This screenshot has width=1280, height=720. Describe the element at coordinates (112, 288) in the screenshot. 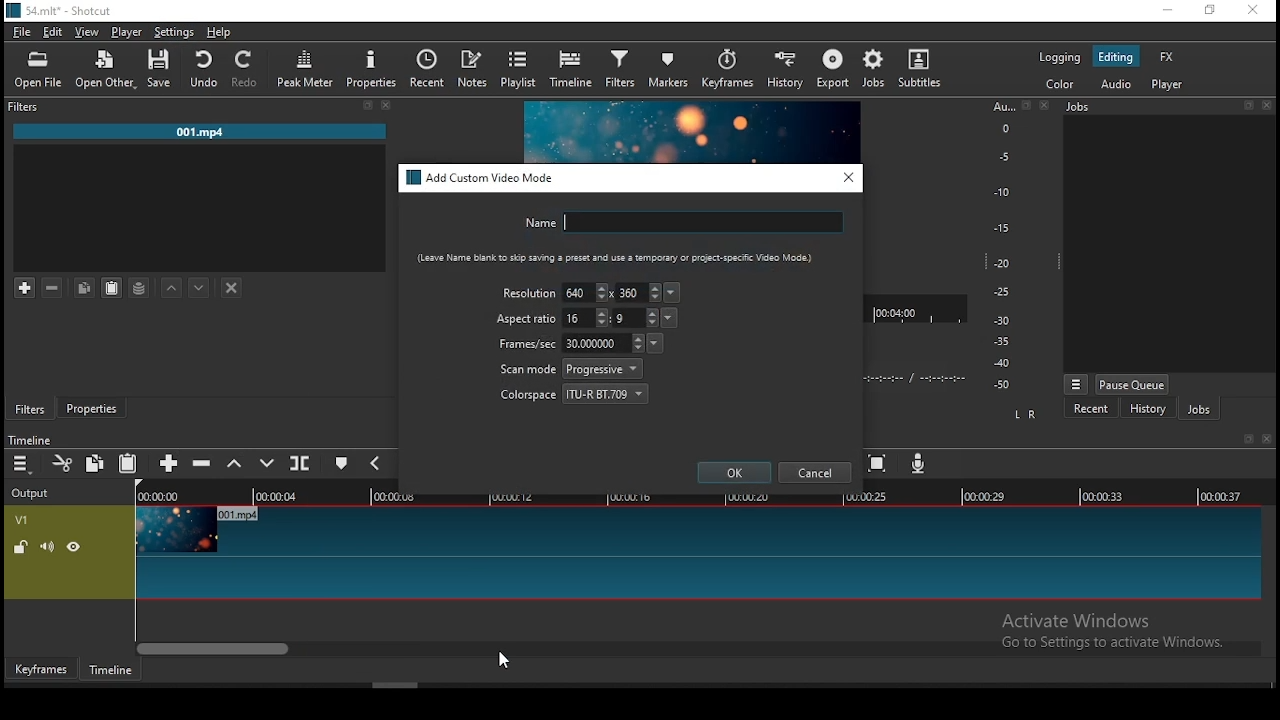

I see `paste` at that location.